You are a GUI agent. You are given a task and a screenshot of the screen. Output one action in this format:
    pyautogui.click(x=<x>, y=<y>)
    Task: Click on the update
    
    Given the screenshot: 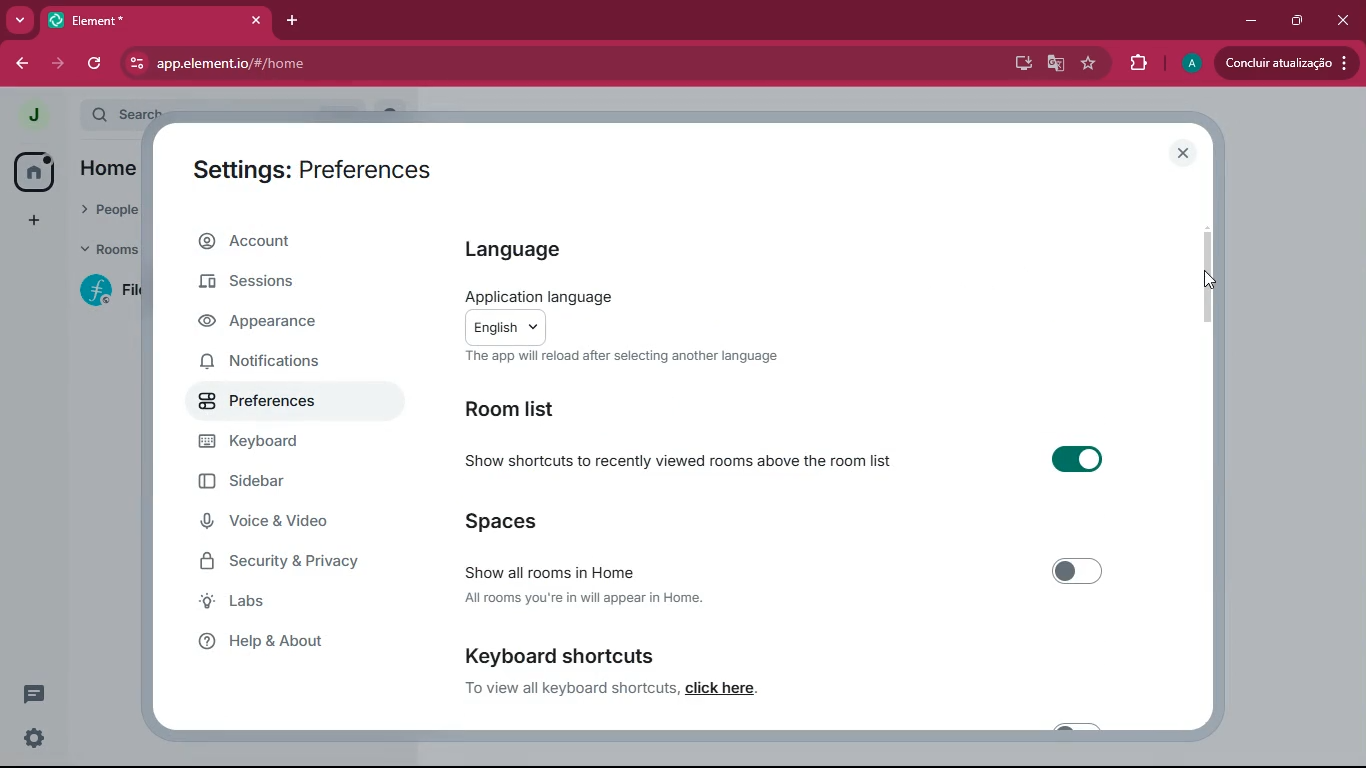 What is the action you would take?
    pyautogui.click(x=1287, y=63)
    